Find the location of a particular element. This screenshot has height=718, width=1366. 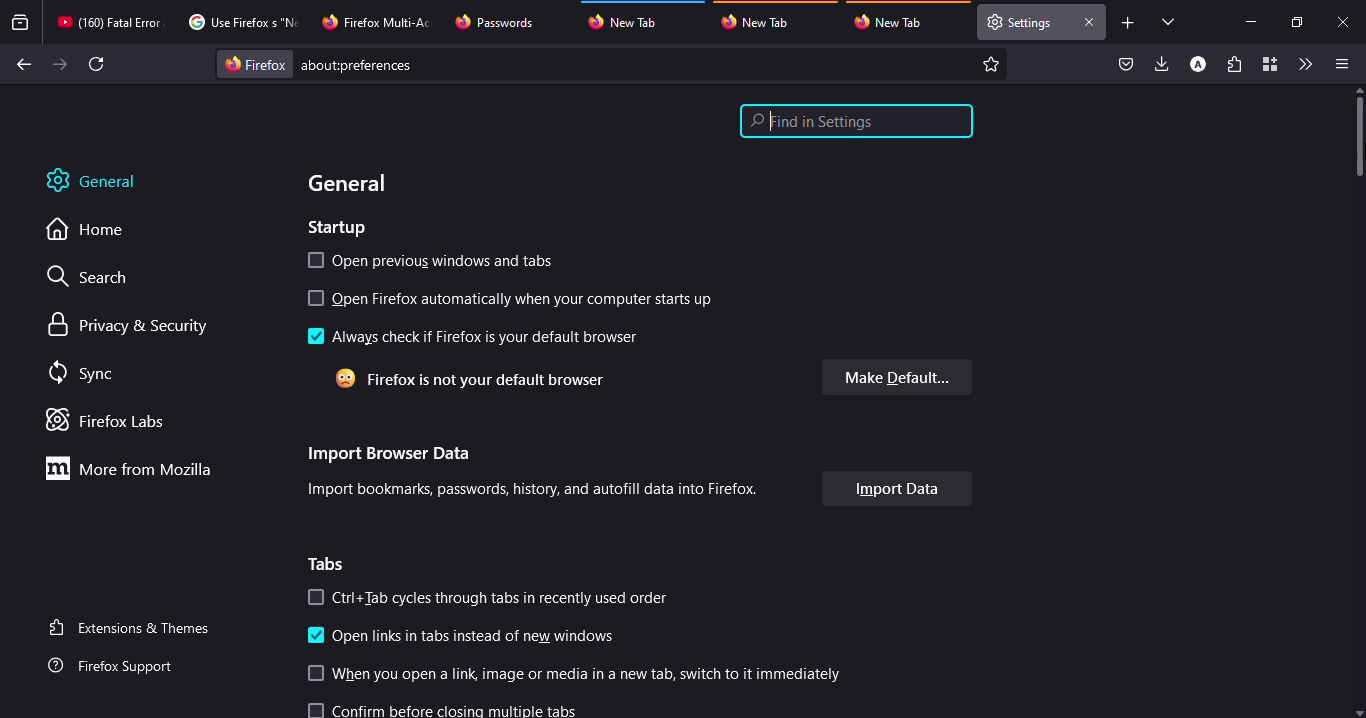

open a link is located at coordinates (592, 674).